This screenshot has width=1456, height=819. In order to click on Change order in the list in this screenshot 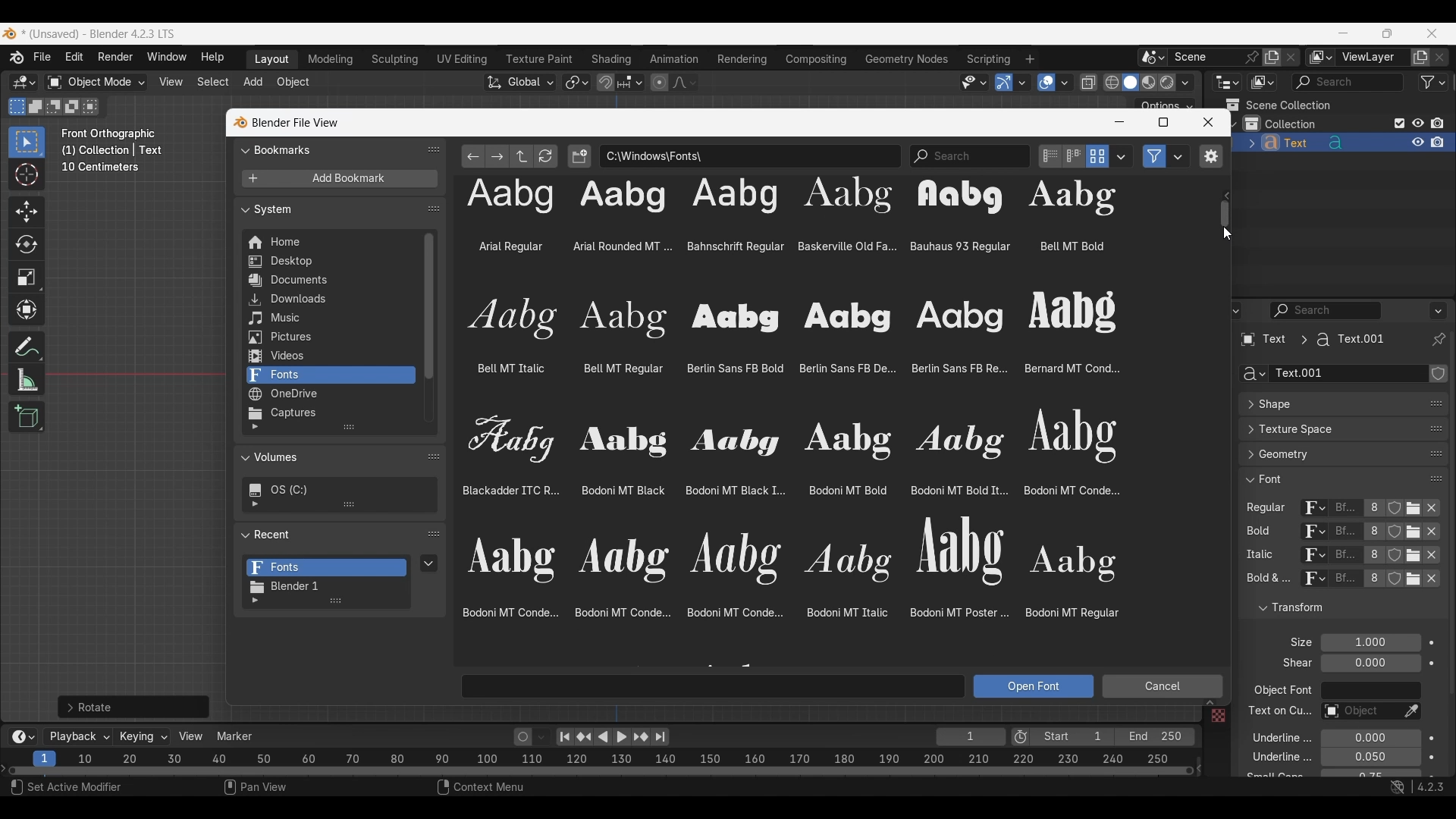, I will do `click(1439, 375)`.